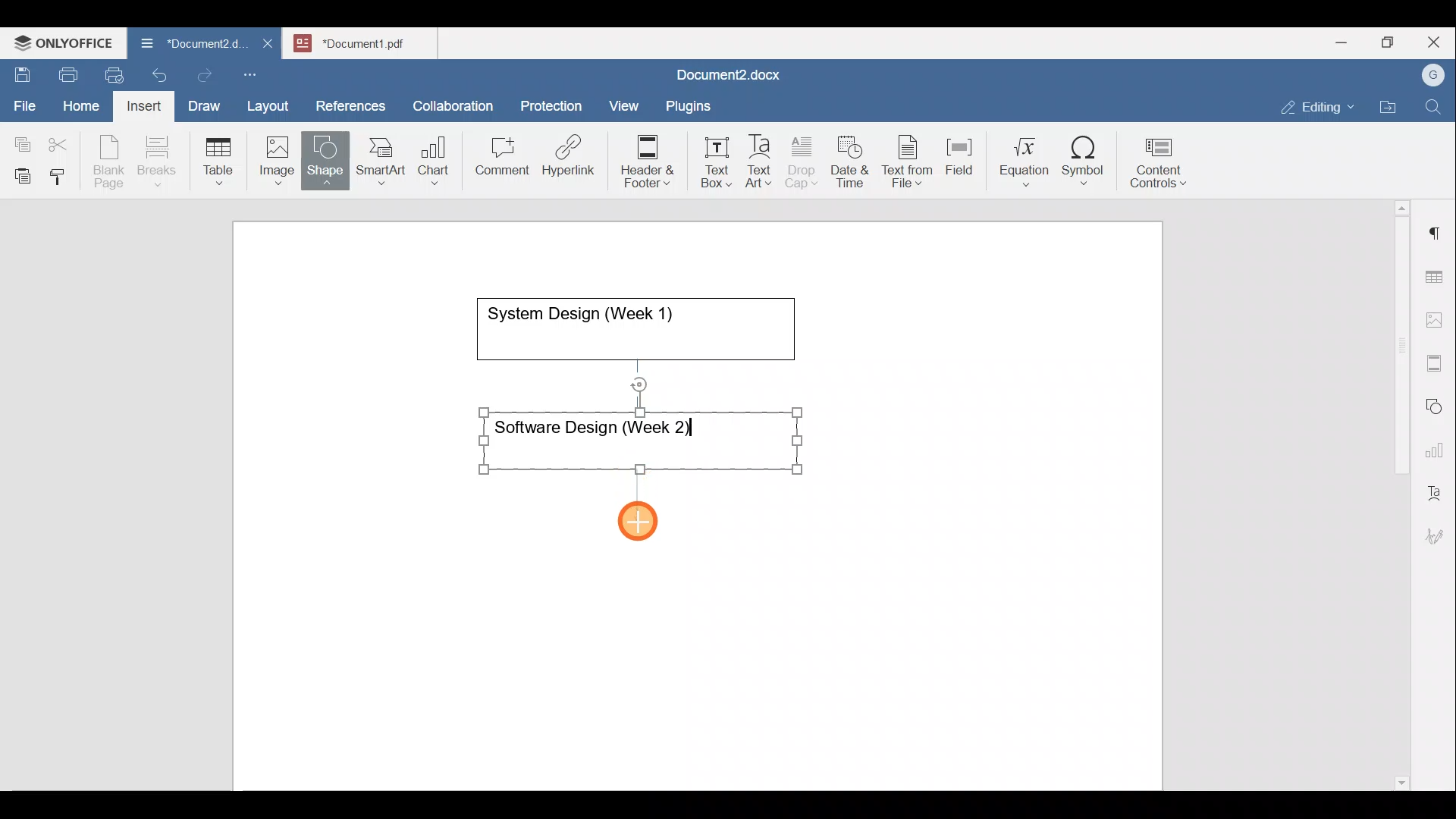 The height and width of the screenshot is (819, 1456). What do you see at coordinates (140, 103) in the screenshot?
I see `Insert` at bounding box center [140, 103].